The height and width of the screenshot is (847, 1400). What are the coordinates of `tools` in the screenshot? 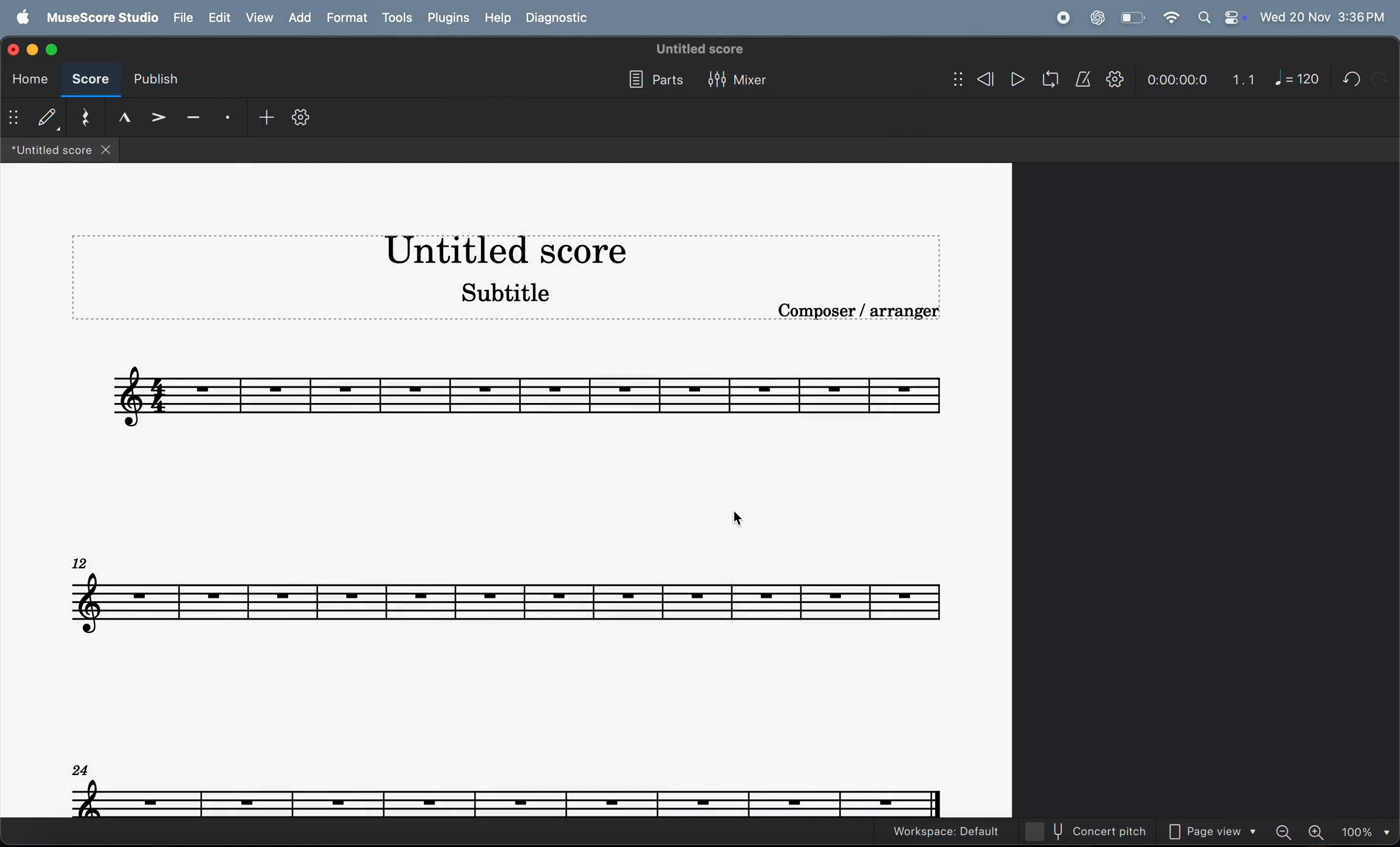 It's located at (397, 19).